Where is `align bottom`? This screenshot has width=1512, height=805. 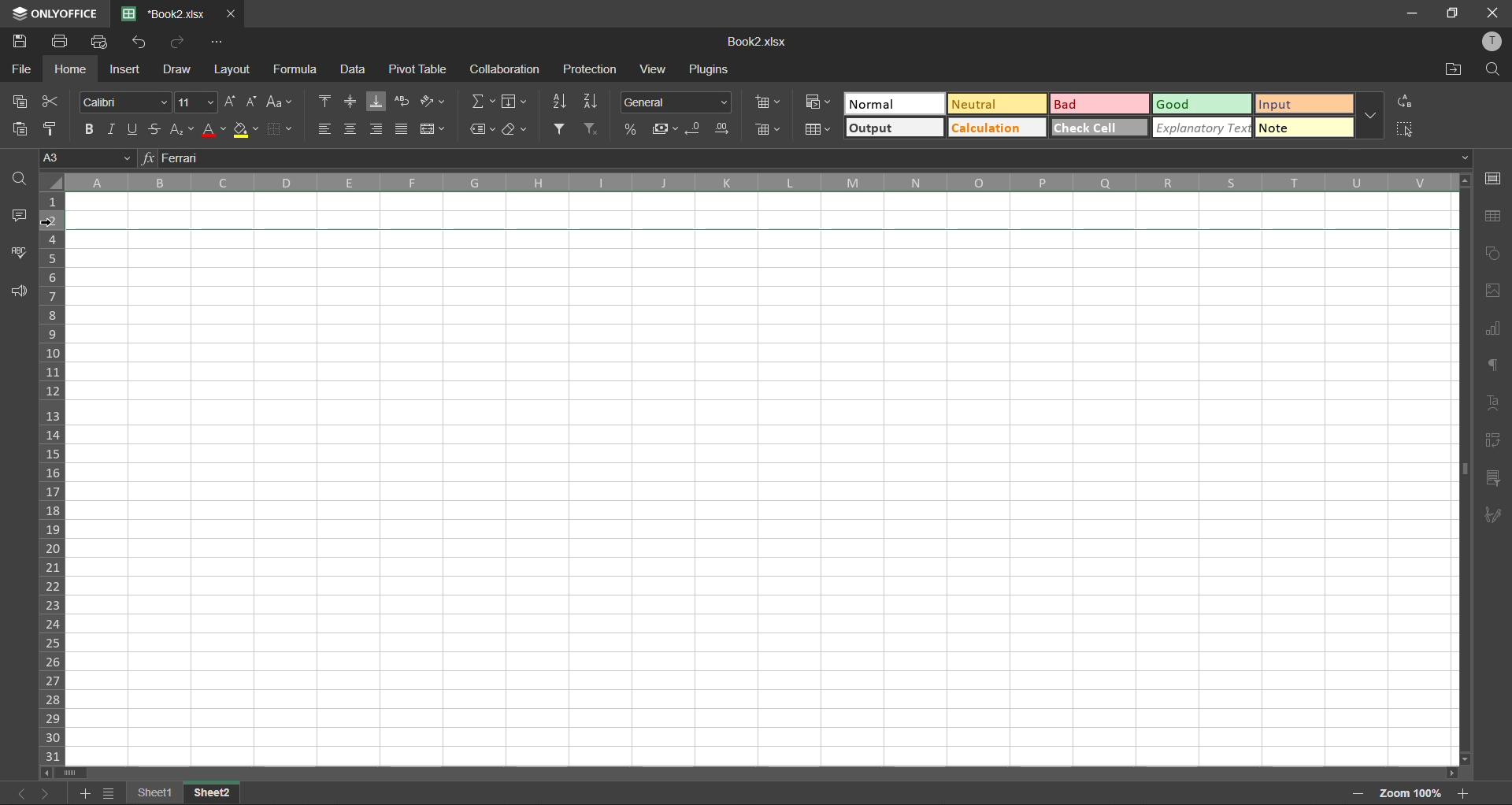
align bottom is located at coordinates (373, 102).